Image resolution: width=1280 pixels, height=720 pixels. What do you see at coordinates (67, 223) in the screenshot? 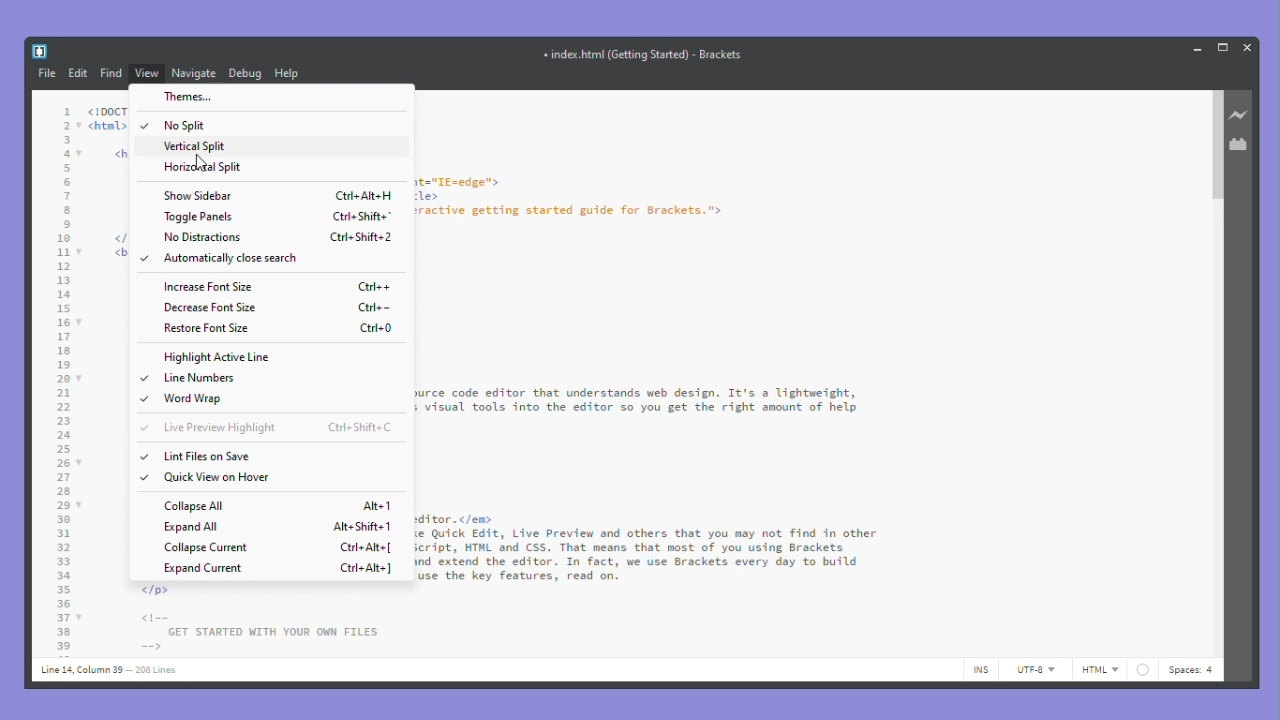
I see `9` at bounding box center [67, 223].